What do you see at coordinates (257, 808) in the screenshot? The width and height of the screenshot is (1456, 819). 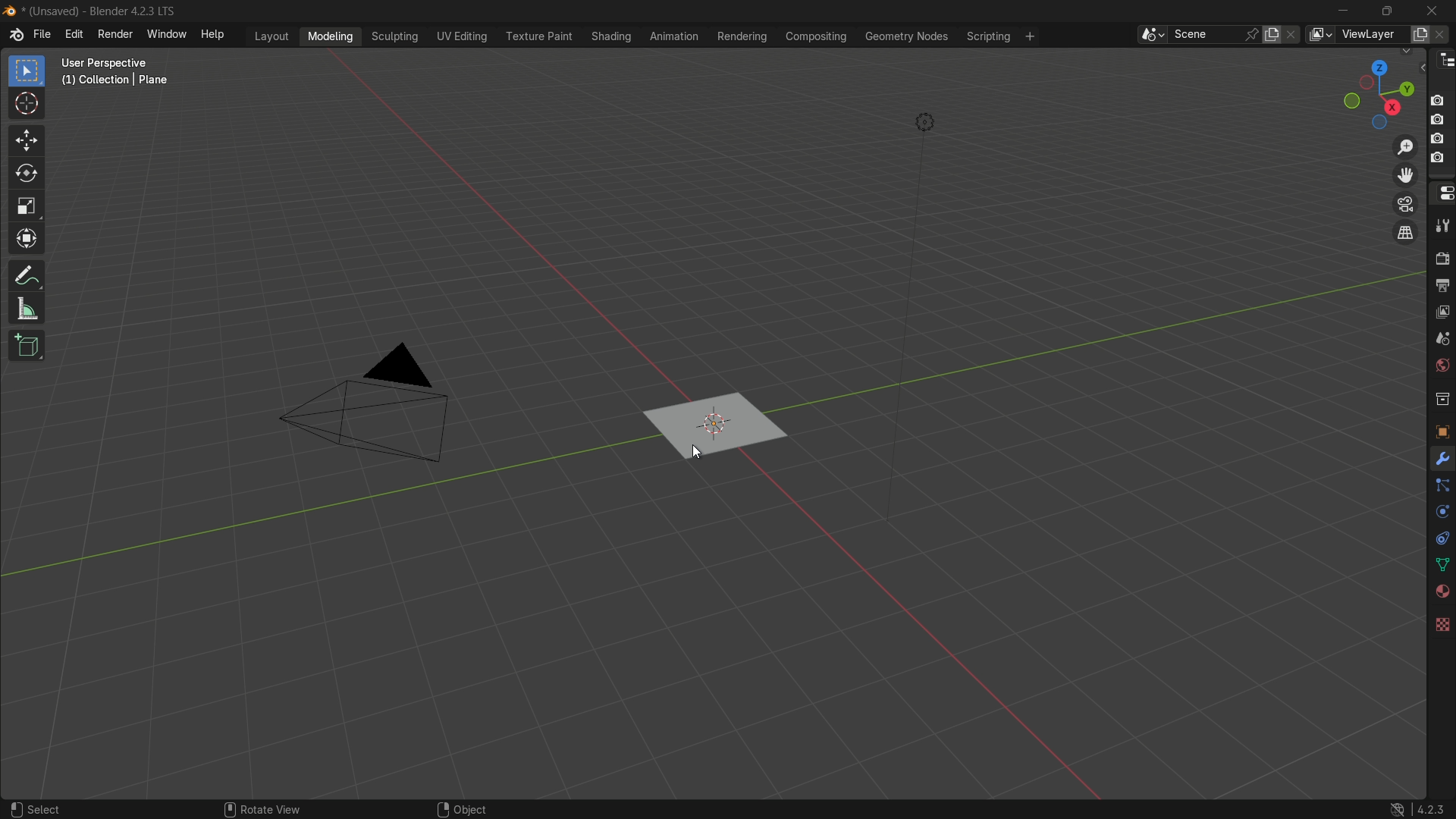 I see `rotate view` at bounding box center [257, 808].